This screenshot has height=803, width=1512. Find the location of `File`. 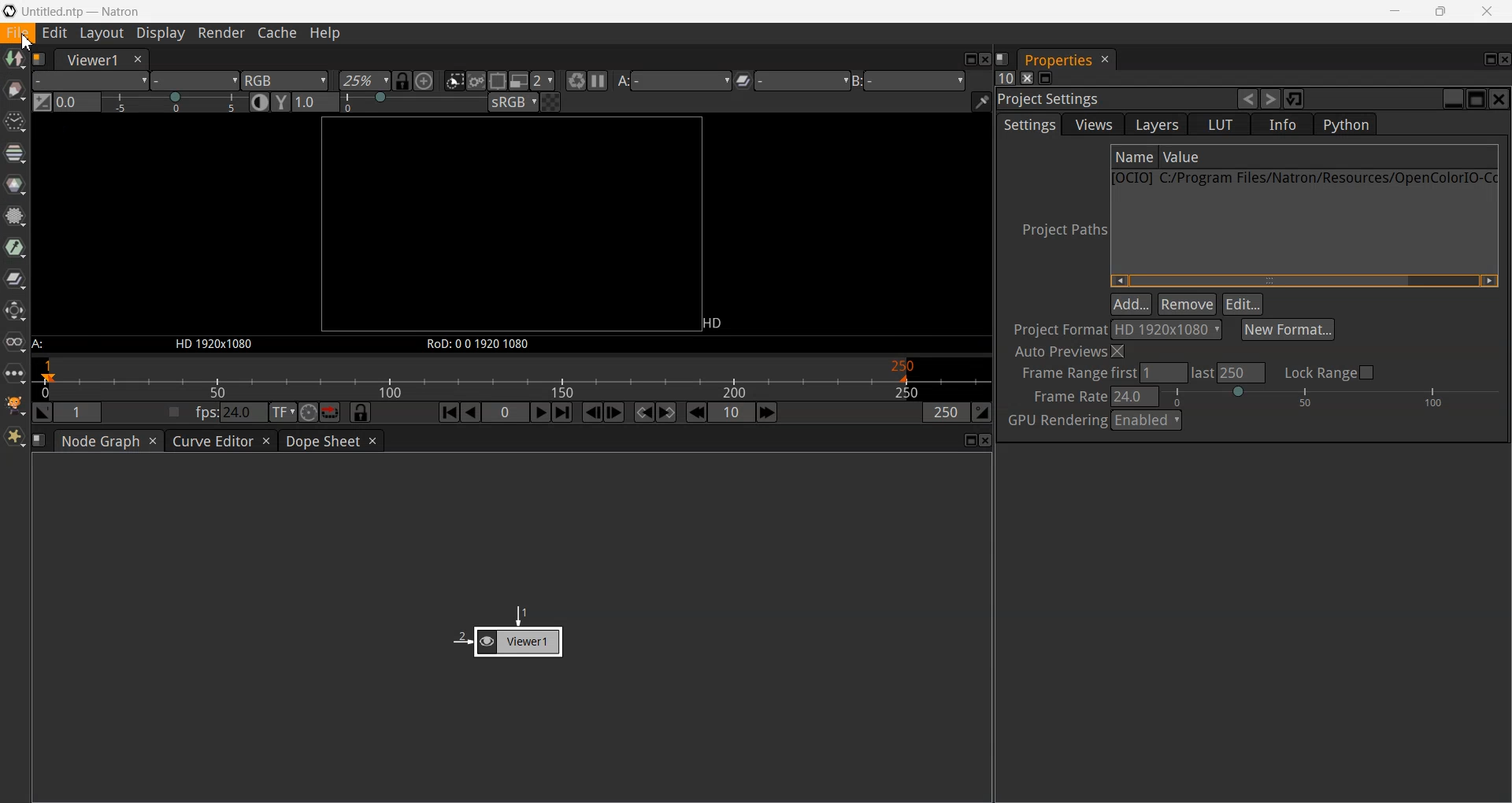

File is located at coordinates (18, 33).